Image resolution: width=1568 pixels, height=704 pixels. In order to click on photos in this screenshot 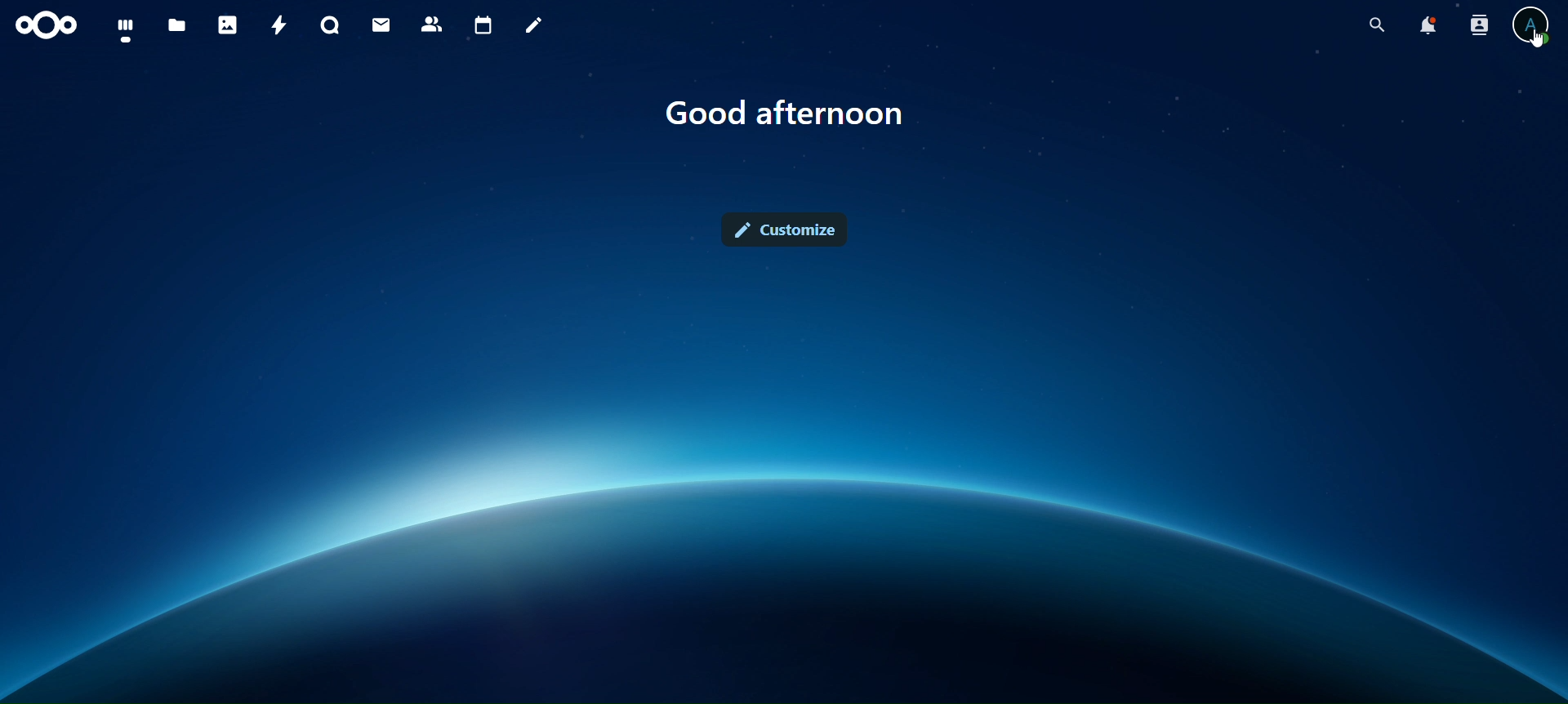, I will do `click(230, 25)`.